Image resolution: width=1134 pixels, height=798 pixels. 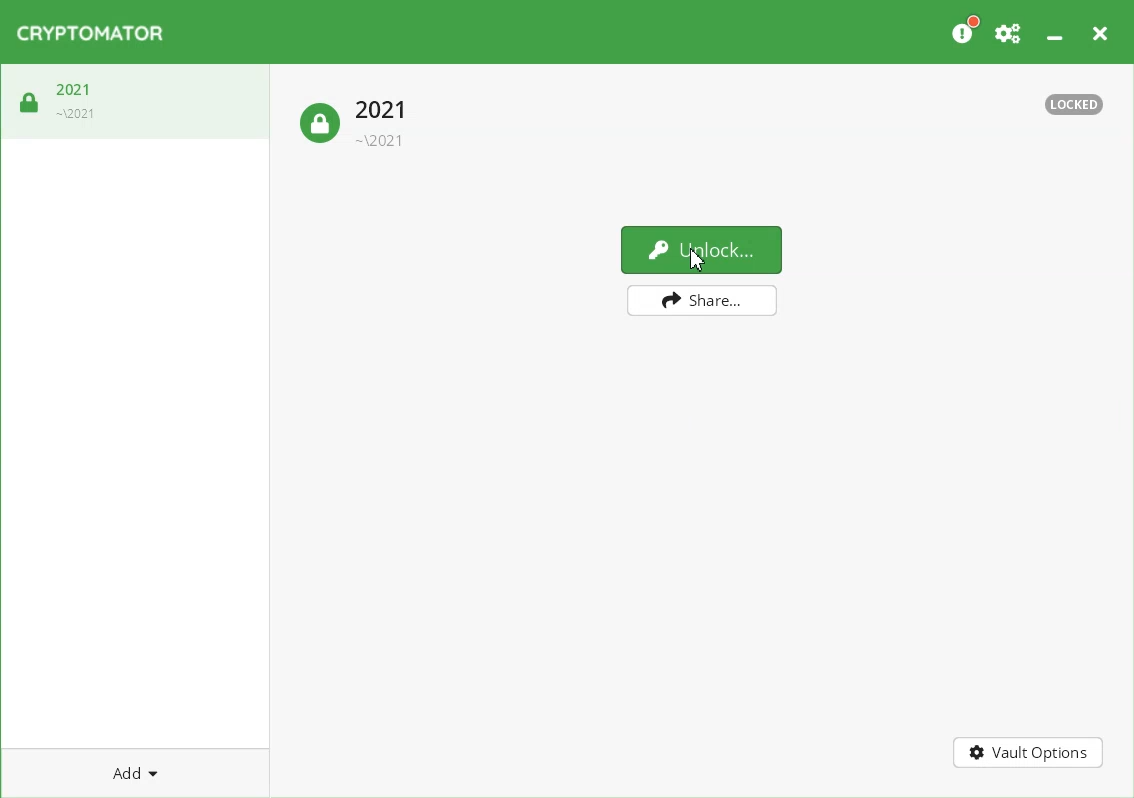 What do you see at coordinates (1074, 104) in the screenshot?
I see `Text` at bounding box center [1074, 104].